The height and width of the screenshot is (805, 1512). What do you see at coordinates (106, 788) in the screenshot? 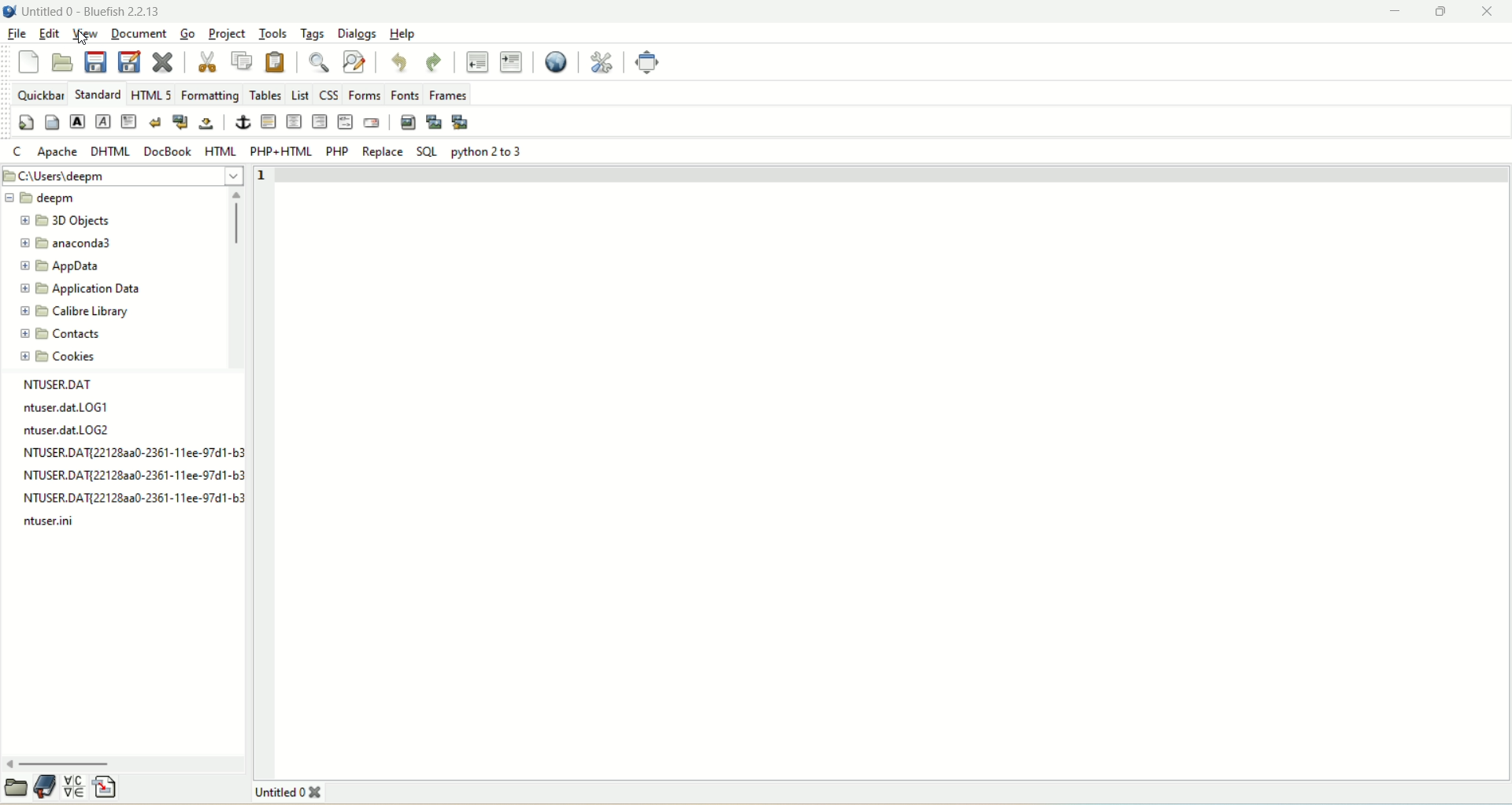
I see `insert file` at bounding box center [106, 788].